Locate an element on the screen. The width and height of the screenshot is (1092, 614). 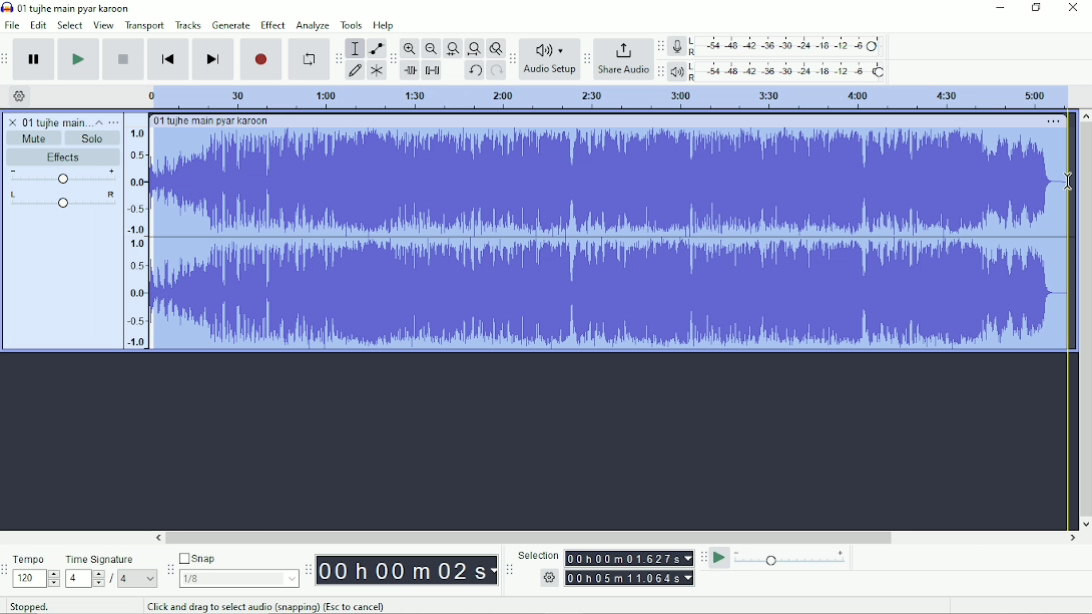
More options is located at coordinates (113, 122).